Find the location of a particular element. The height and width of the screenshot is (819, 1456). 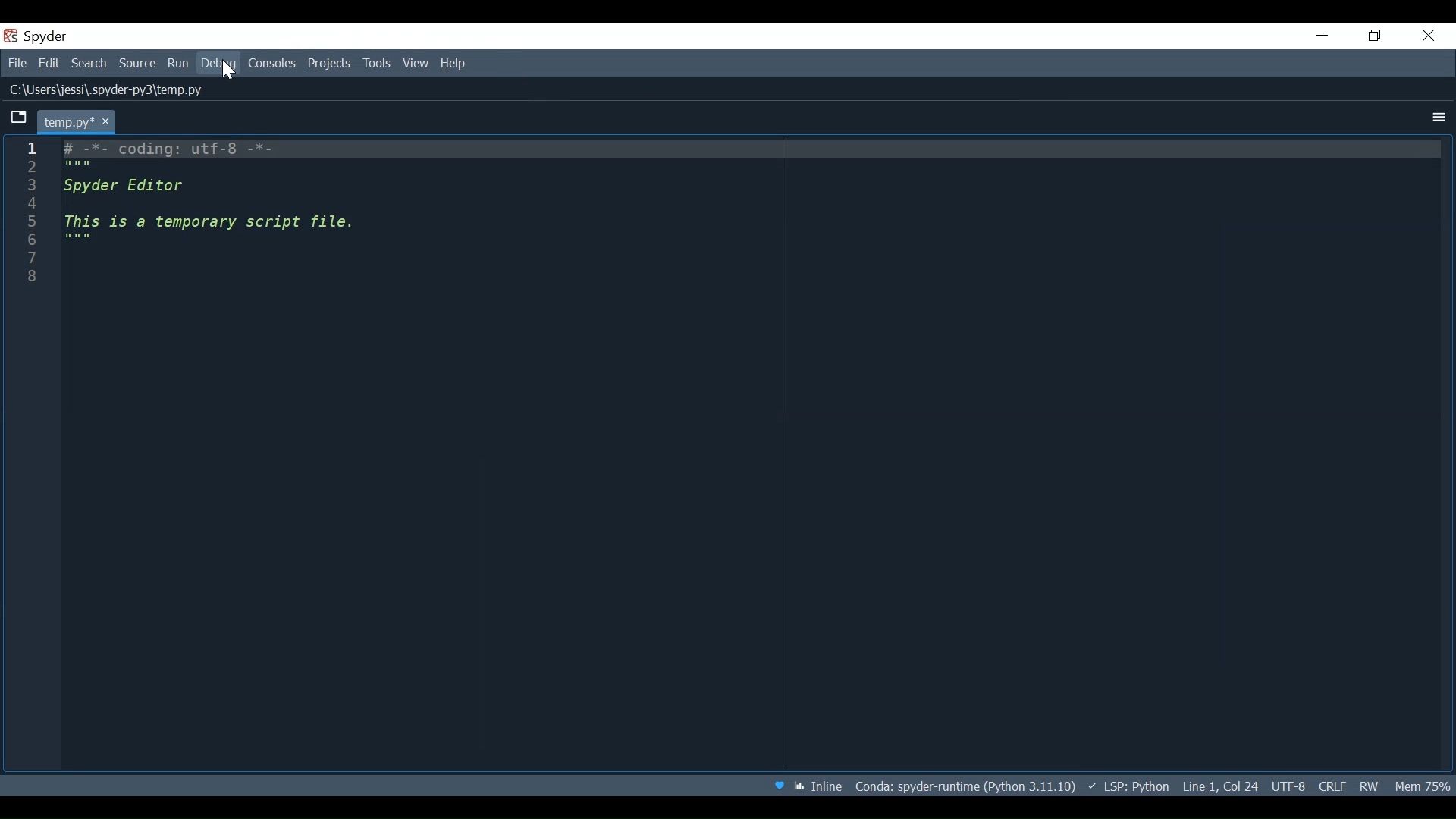

Console is located at coordinates (271, 65).